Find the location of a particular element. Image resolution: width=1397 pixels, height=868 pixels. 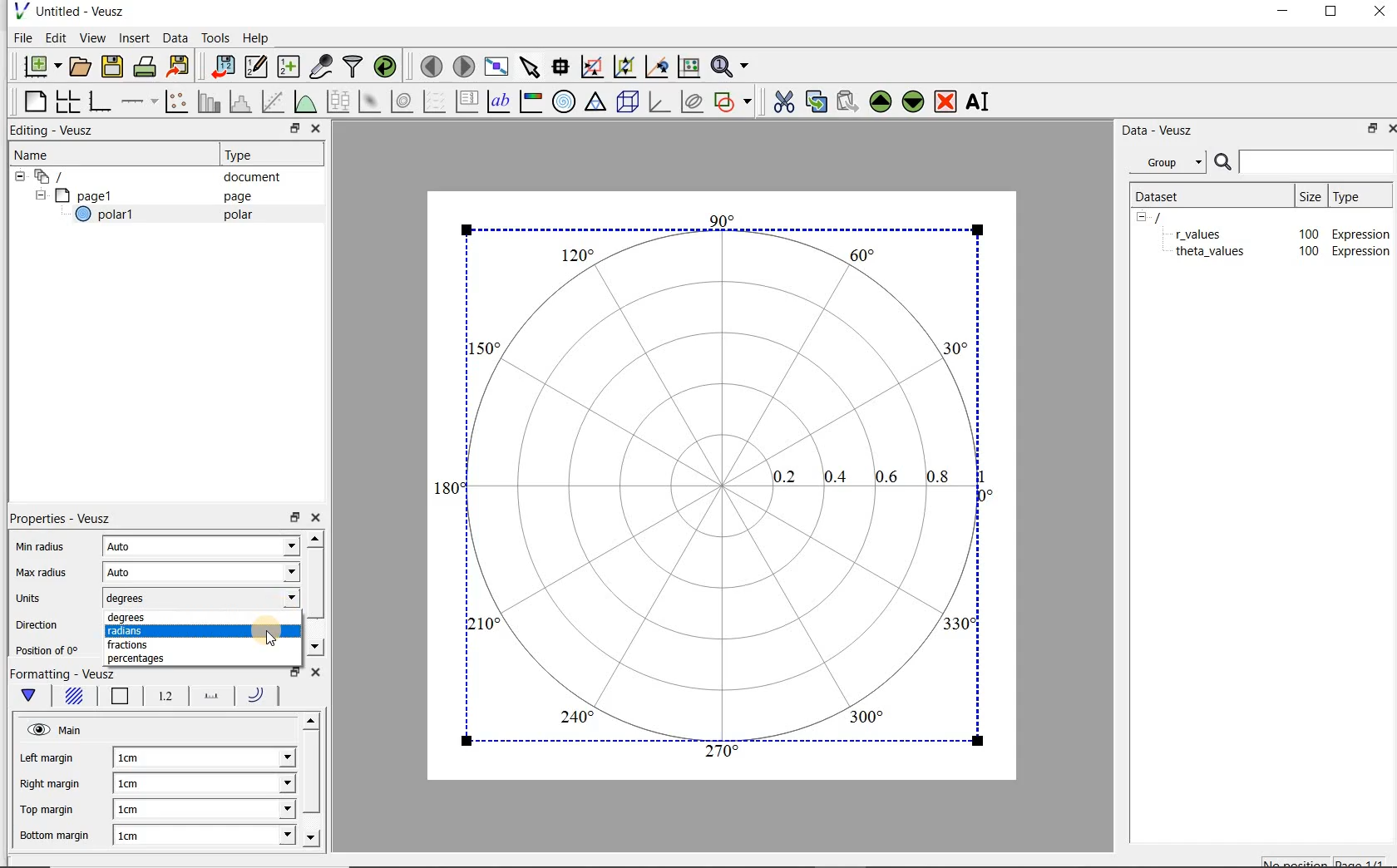

cut the selected widget is located at coordinates (781, 100).